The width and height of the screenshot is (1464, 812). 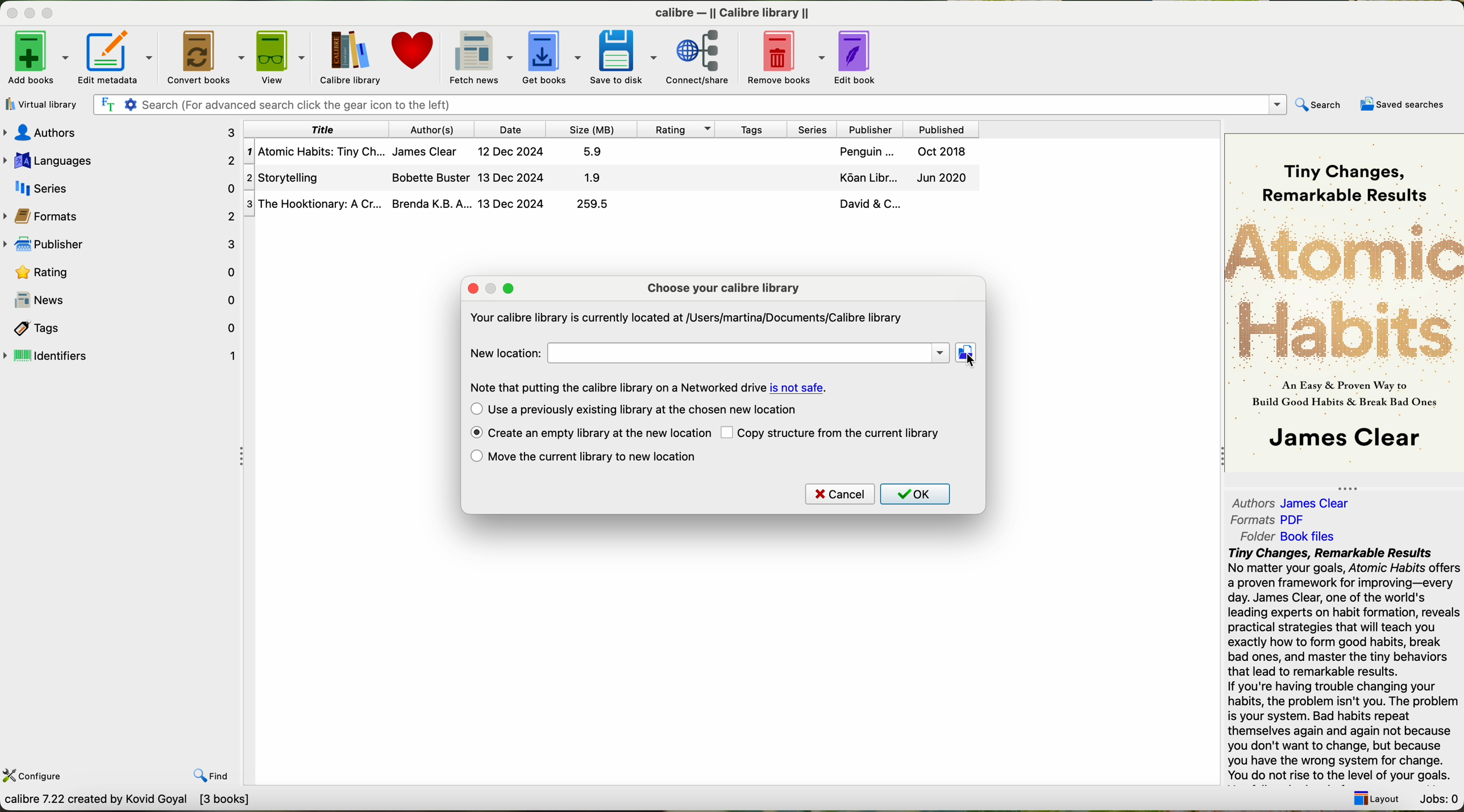 What do you see at coordinates (615, 153) in the screenshot?
I see `First Book Atomic Habits` at bounding box center [615, 153].